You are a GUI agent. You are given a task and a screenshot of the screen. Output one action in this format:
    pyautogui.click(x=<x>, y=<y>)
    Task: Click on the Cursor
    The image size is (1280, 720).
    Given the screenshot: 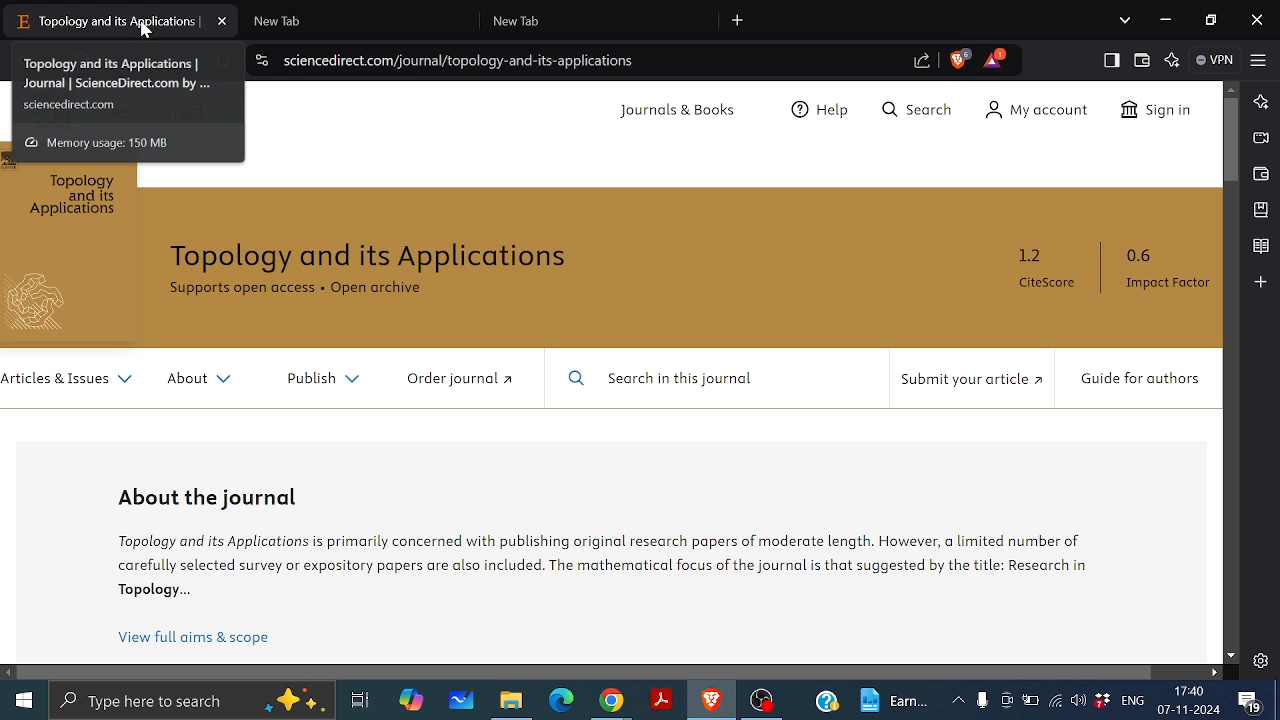 What is the action you would take?
    pyautogui.click(x=149, y=32)
    